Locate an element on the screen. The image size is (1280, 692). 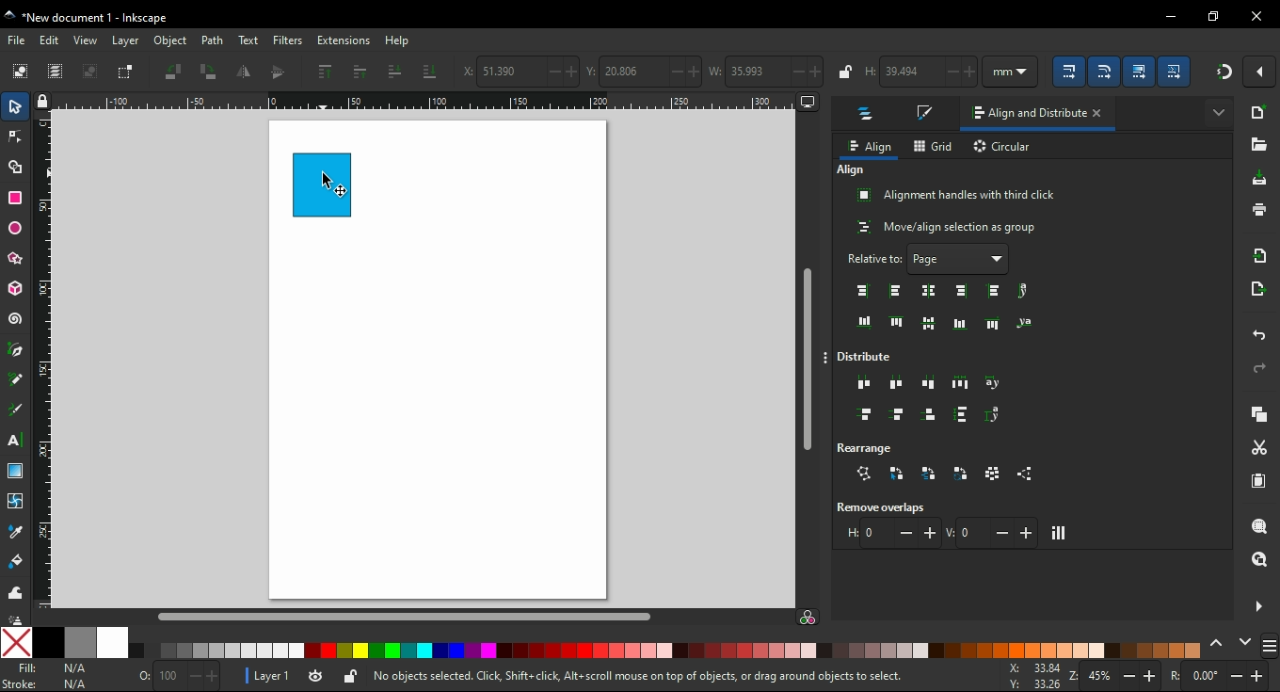
raise is located at coordinates (361, 72).